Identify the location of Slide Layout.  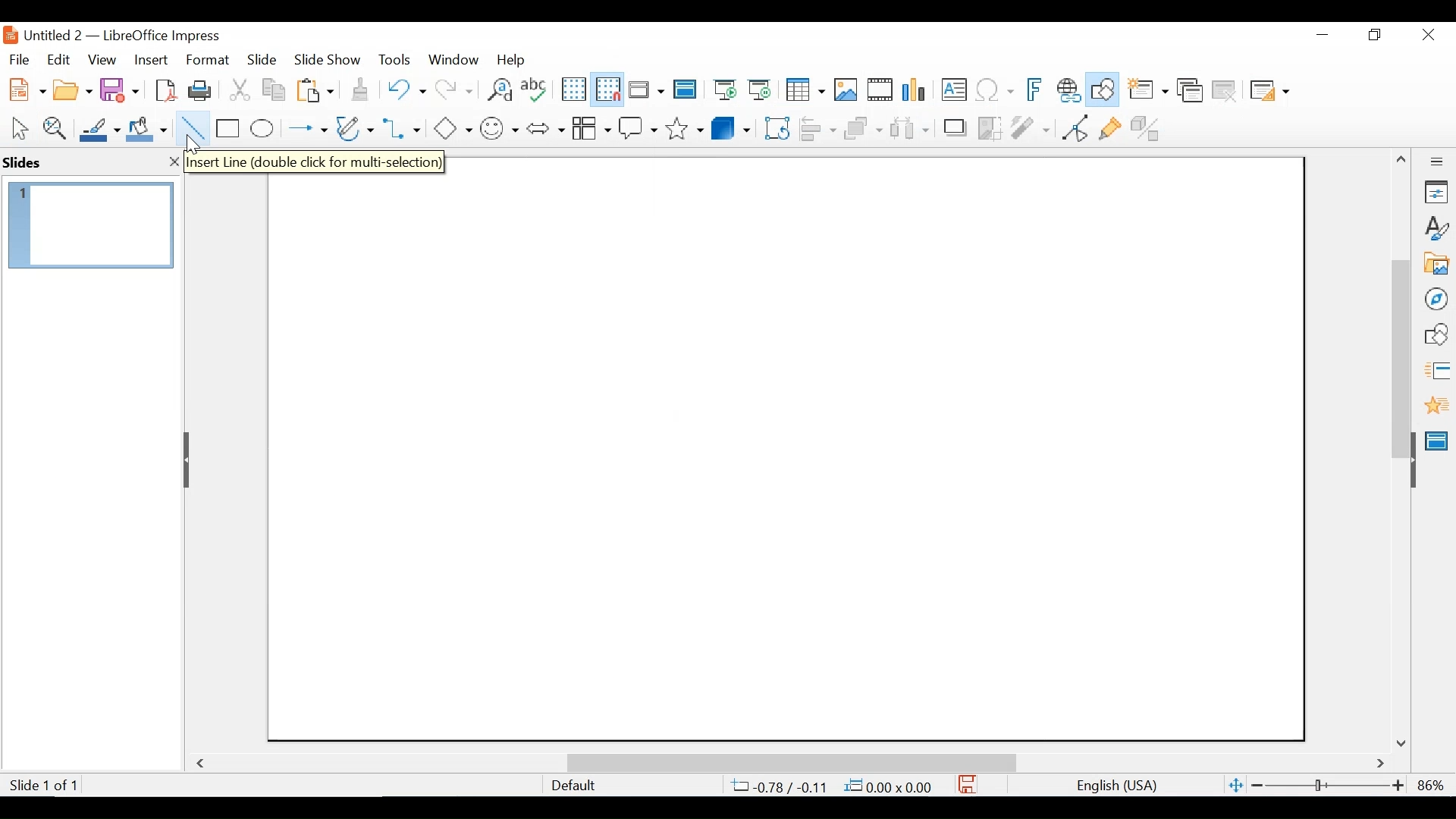
(1268, 92).